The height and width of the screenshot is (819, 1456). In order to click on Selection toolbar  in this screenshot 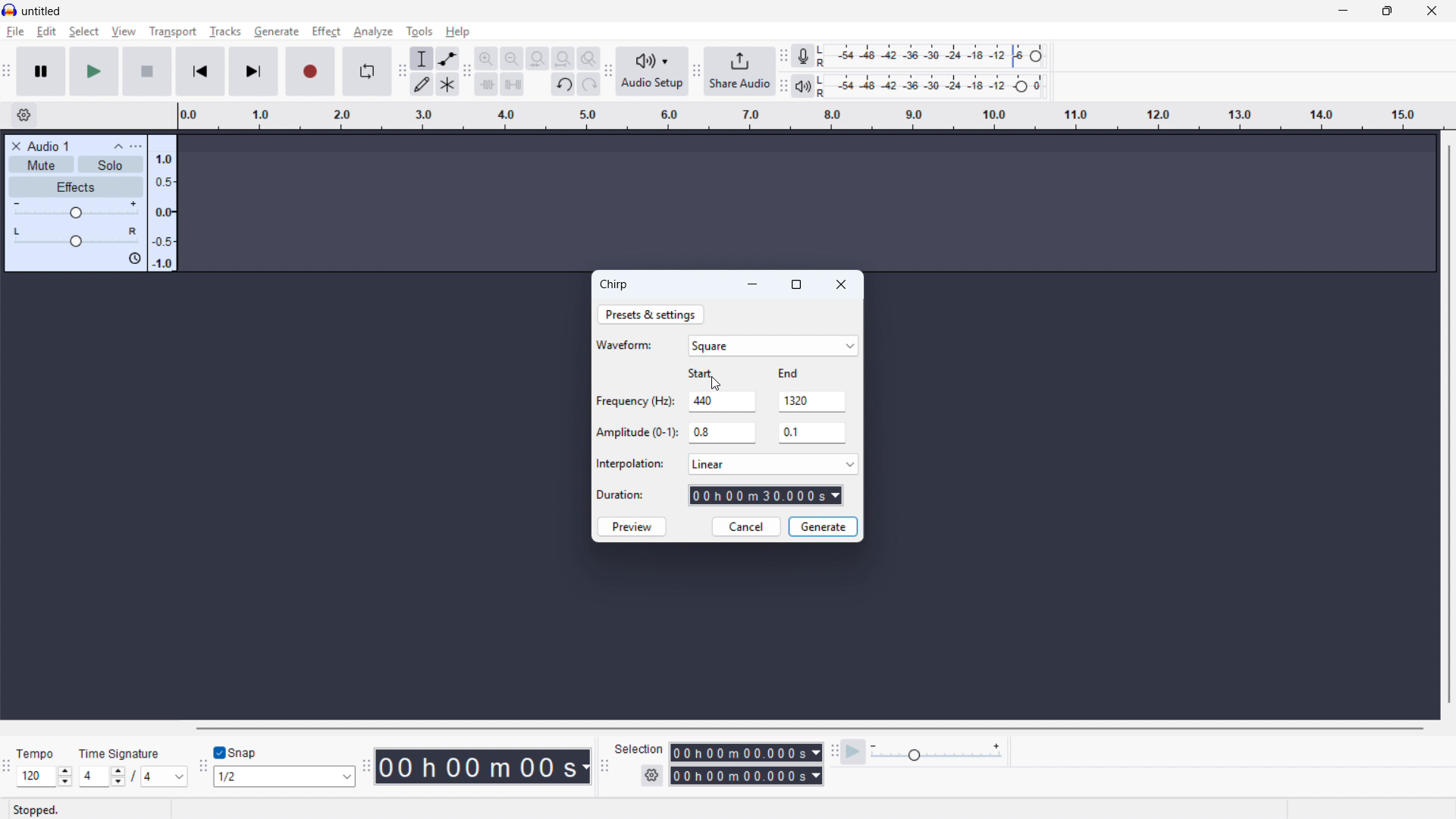, I will do `click(604, 764)`.